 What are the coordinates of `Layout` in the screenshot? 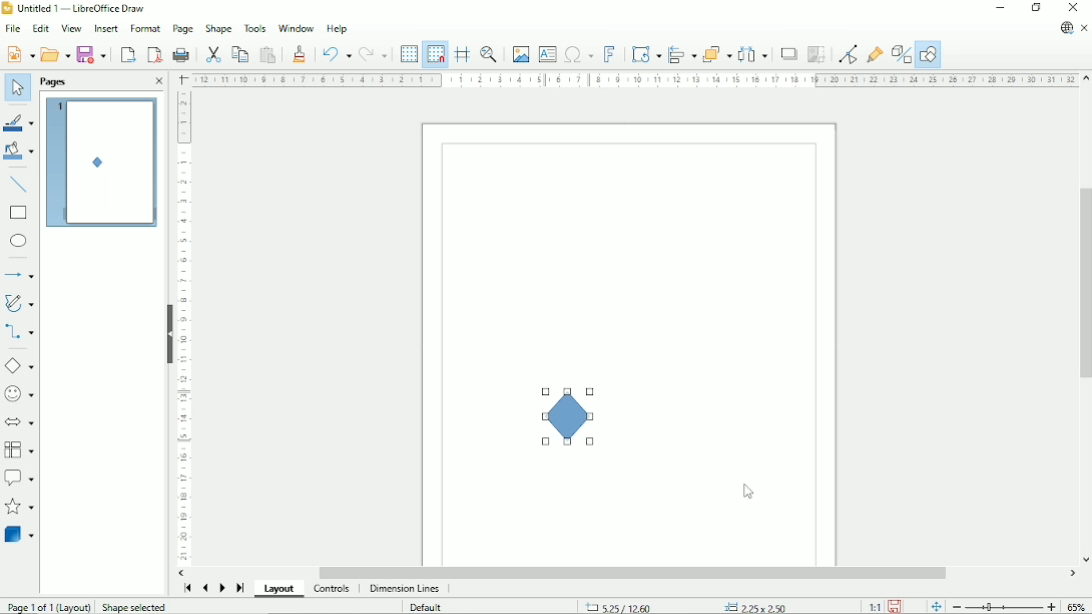 It's located at (279, 590).